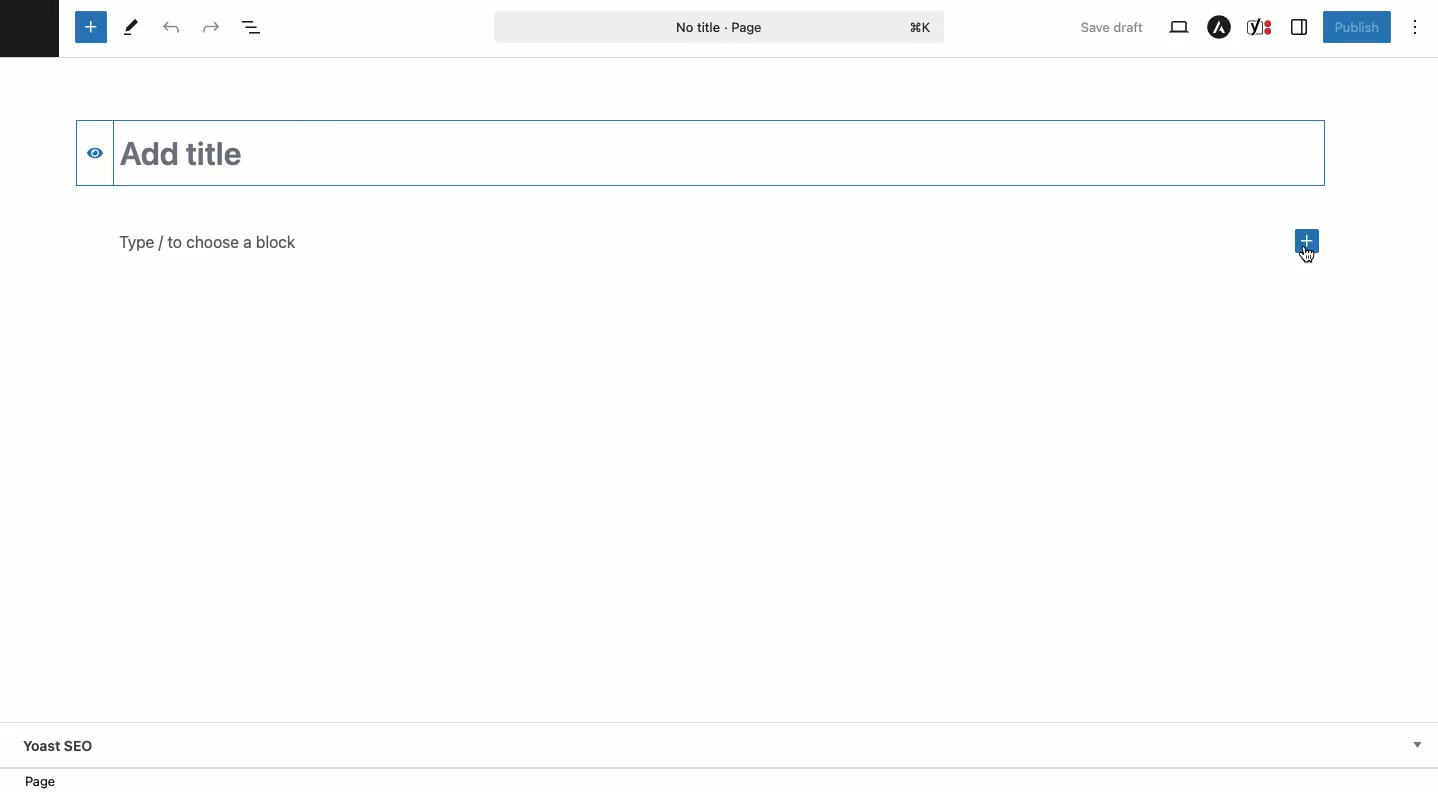 This screenshot has width=1438, height=792. I want to click on View, so click(1178, 28).